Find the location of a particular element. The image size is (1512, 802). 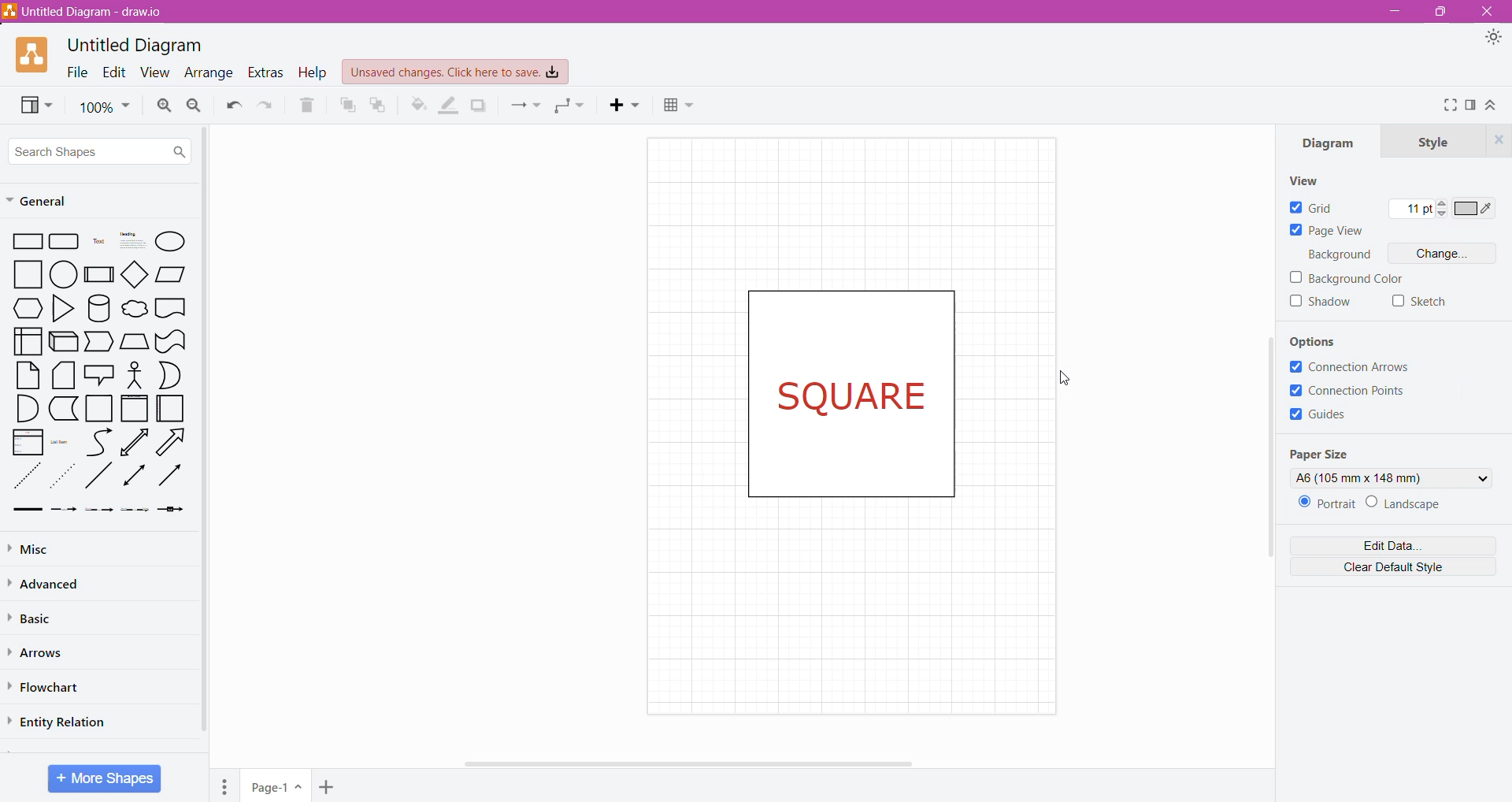

Background Color - click to enable/disable is located at coordinates (1347, 279).